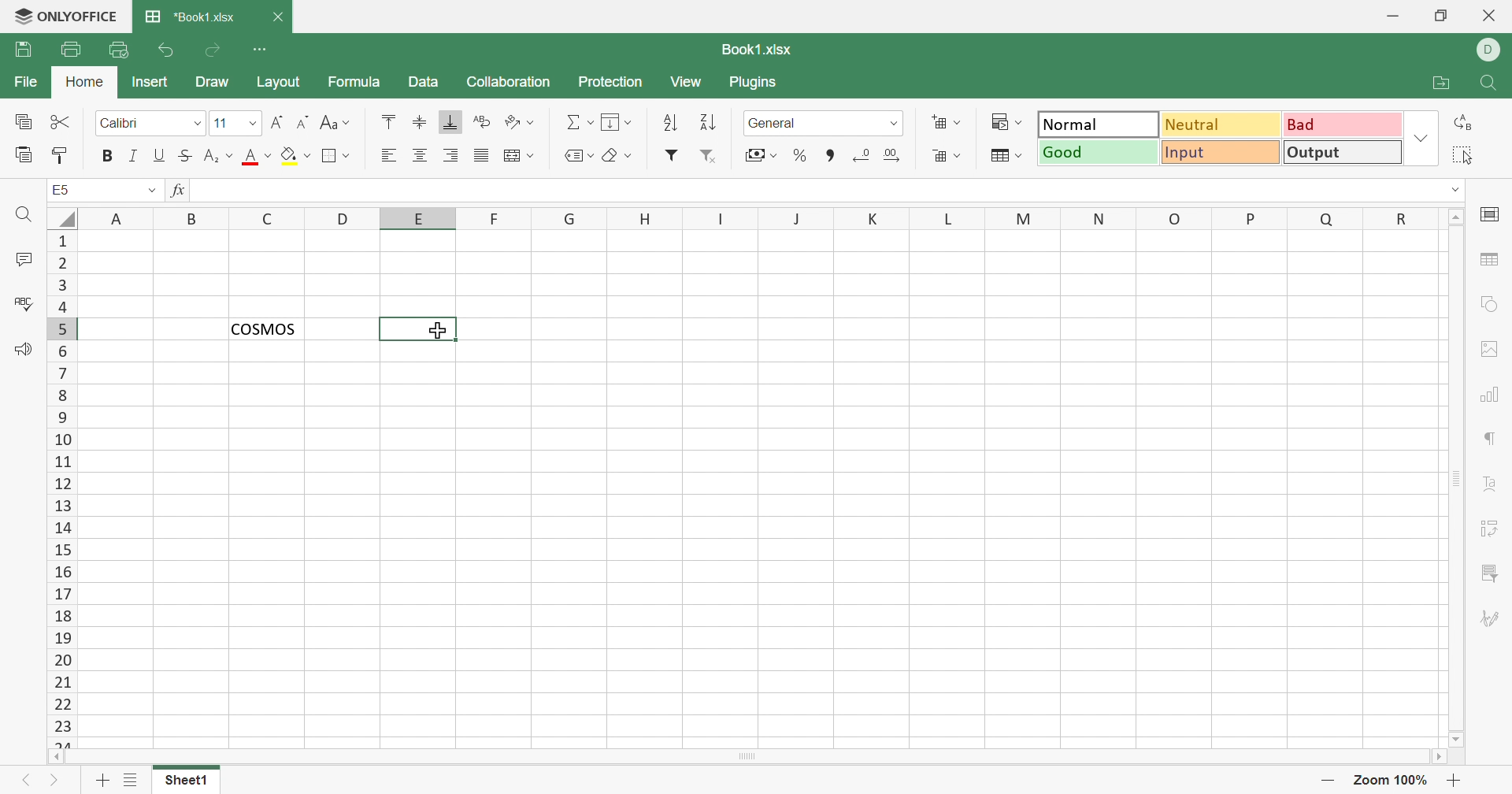 This screenshot has width=1512, height=794. I want to click on fx, so click(182, 191).